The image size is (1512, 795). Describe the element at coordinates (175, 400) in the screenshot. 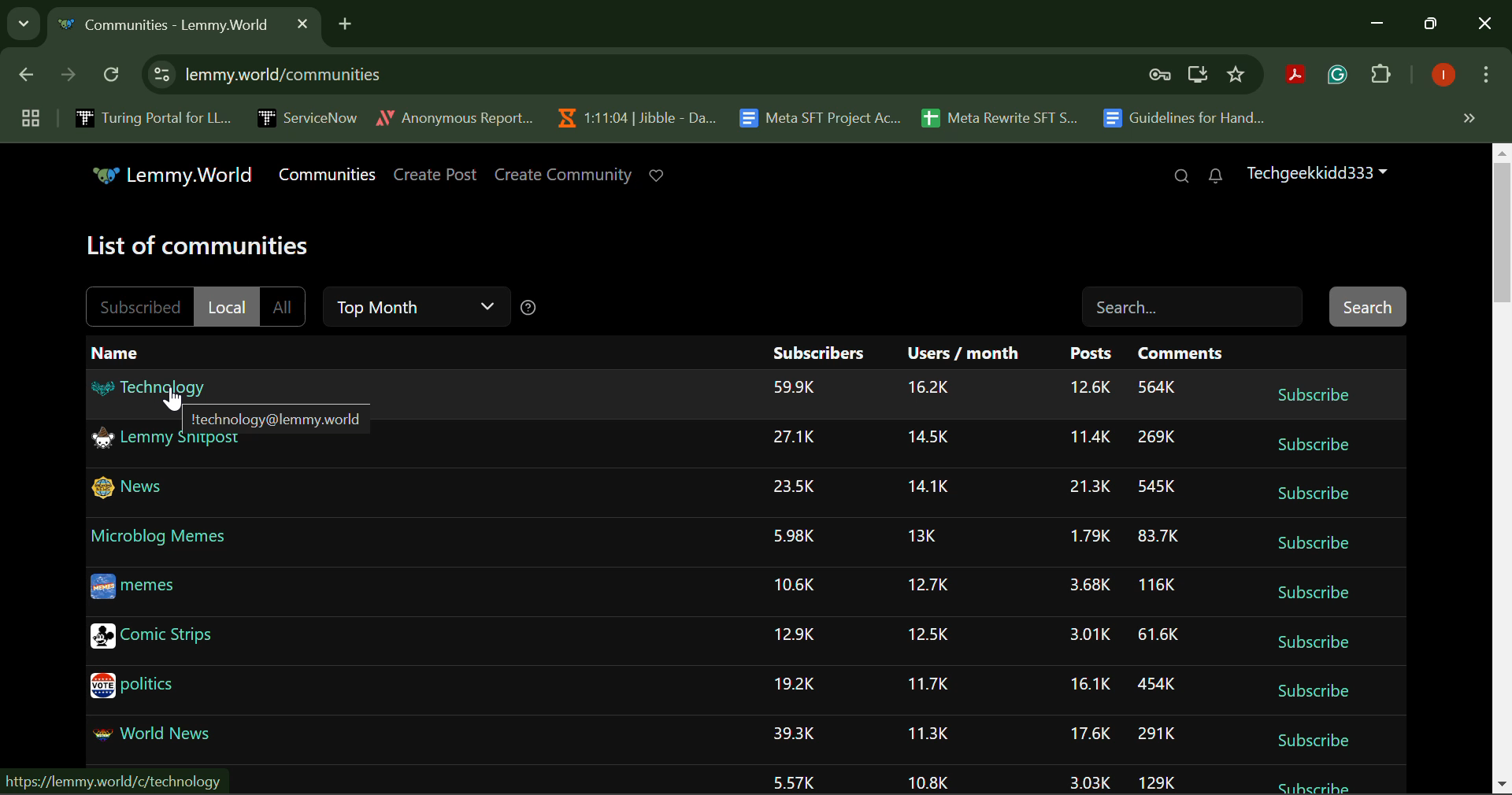

I see `Cursor Position` at that location.